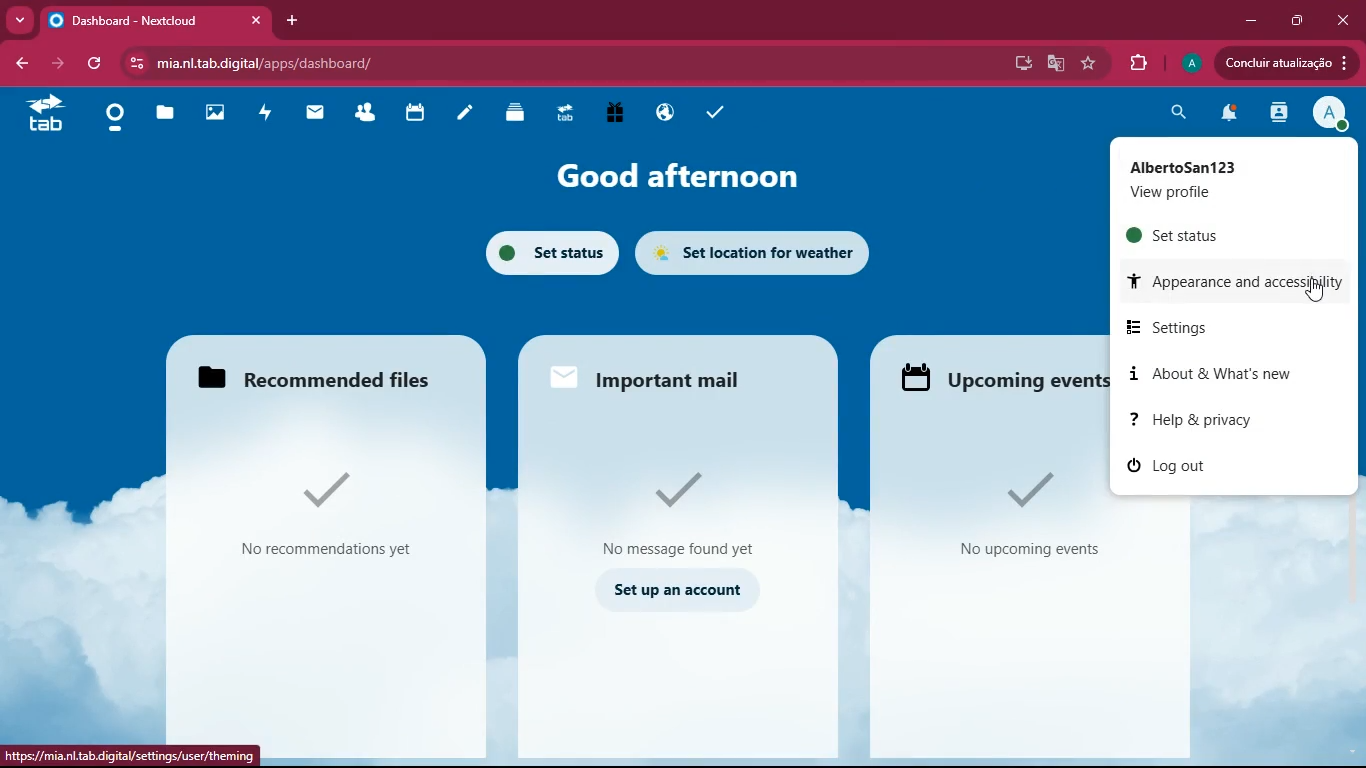 The height and width of the screenshot is (768, 1366). Describe the element at coordinates (1178, 113) in the screenshot. I see `search` at that location.